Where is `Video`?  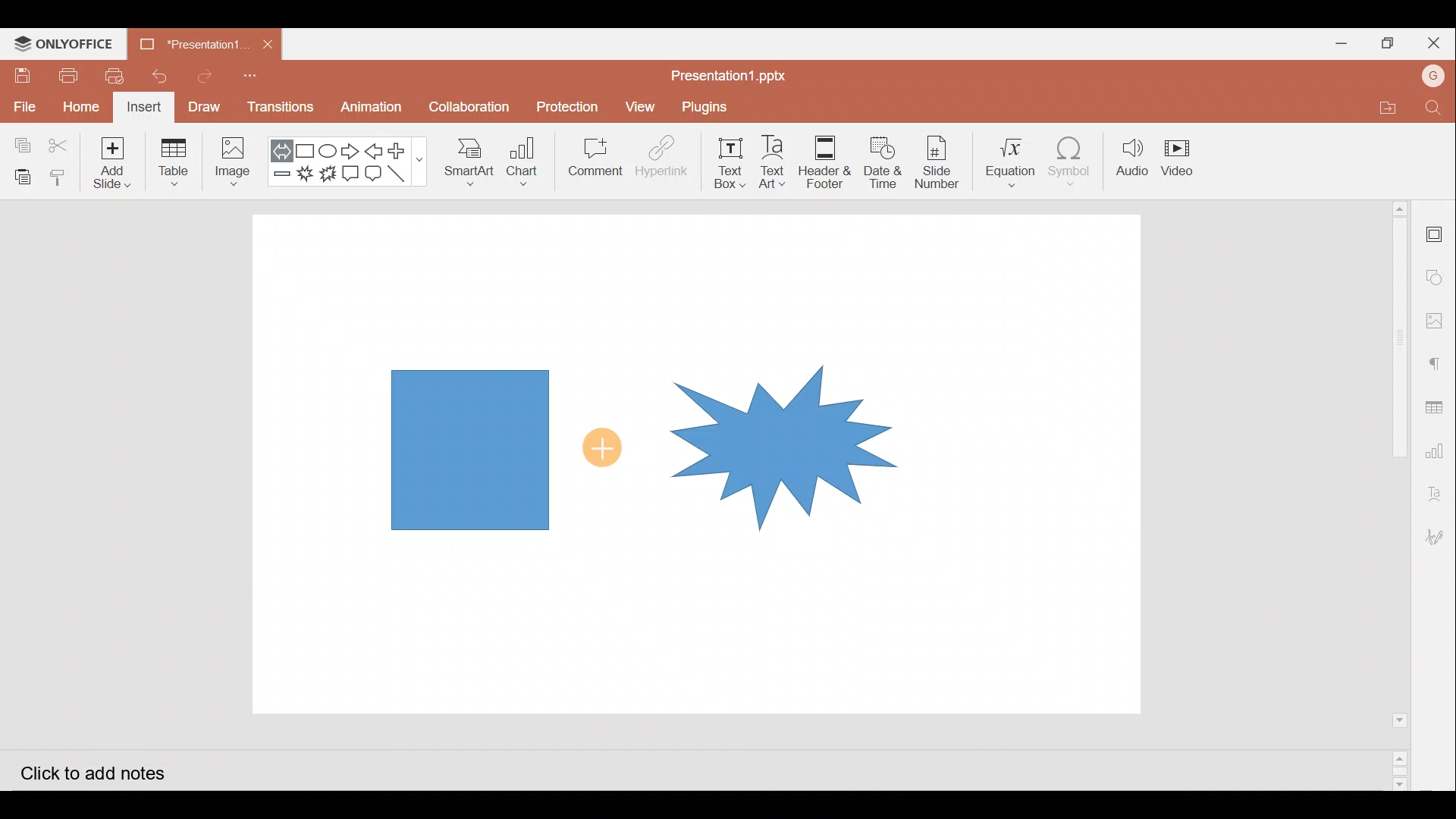
Video is located at coordinates (1187, 159).